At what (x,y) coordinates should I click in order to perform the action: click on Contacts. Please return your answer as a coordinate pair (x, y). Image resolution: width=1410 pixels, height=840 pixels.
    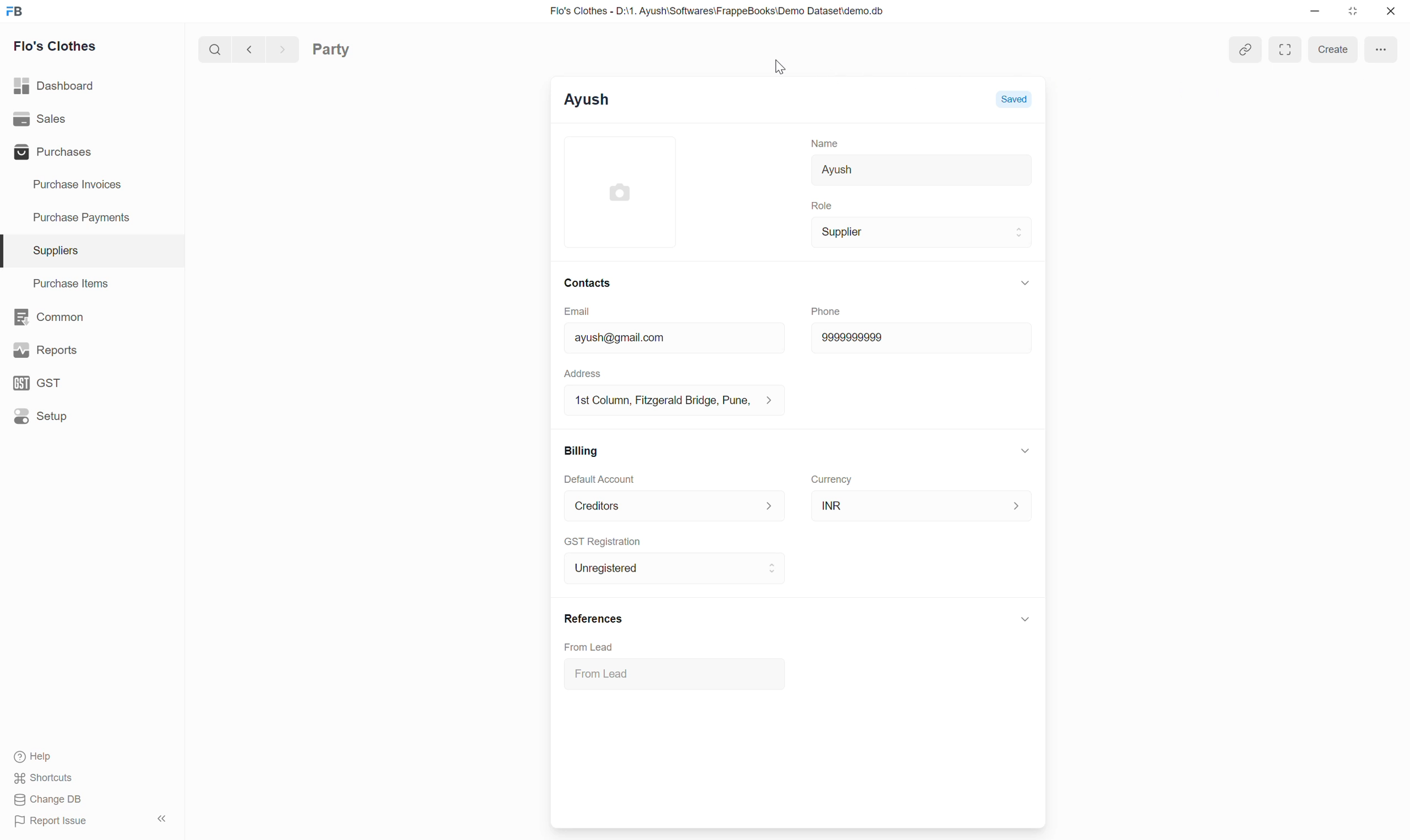
    Looking at the image, I should click on (588, 283).